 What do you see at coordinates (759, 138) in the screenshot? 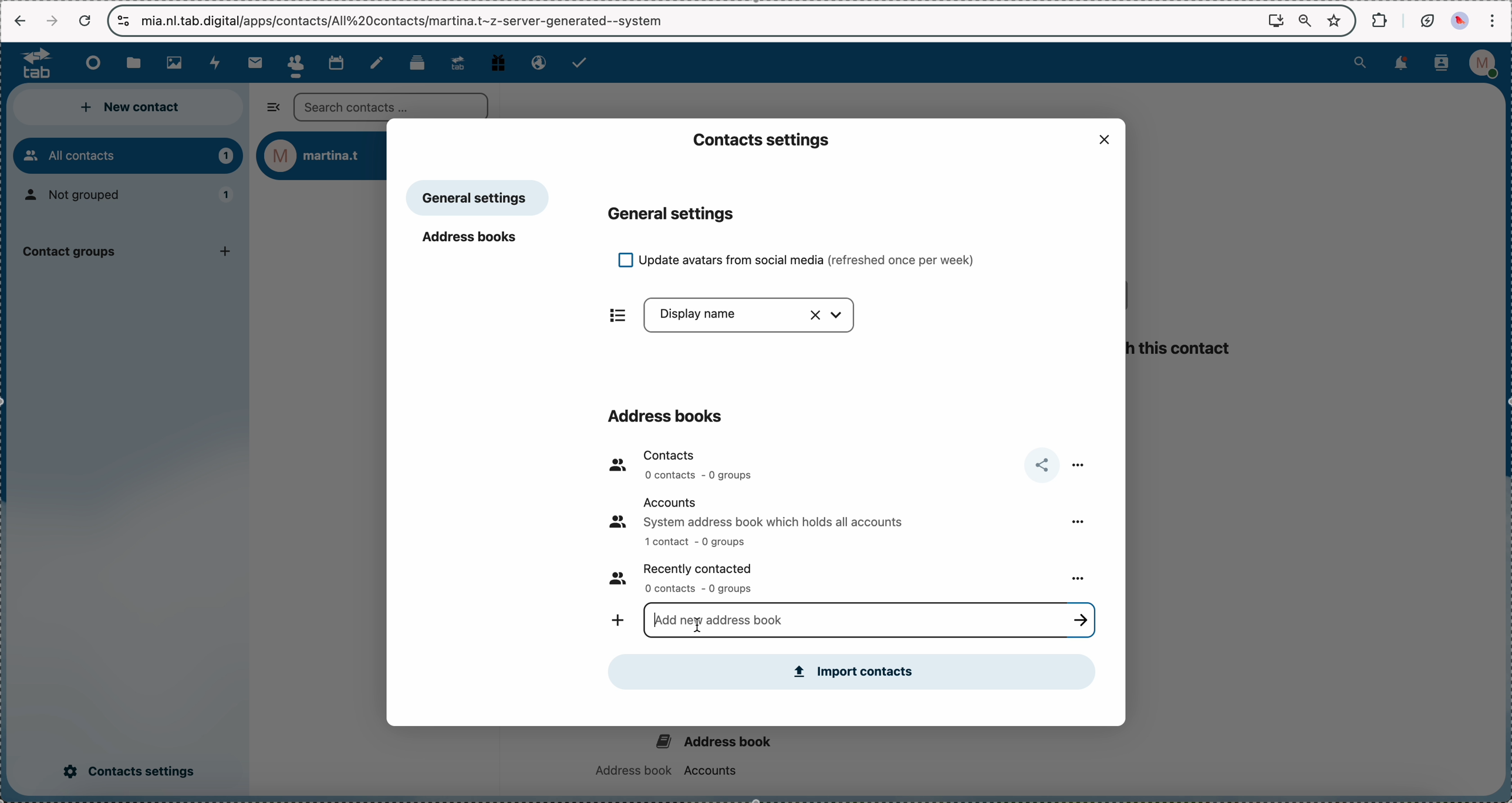
I see `contacts settings` at bounding box center [759, 138].